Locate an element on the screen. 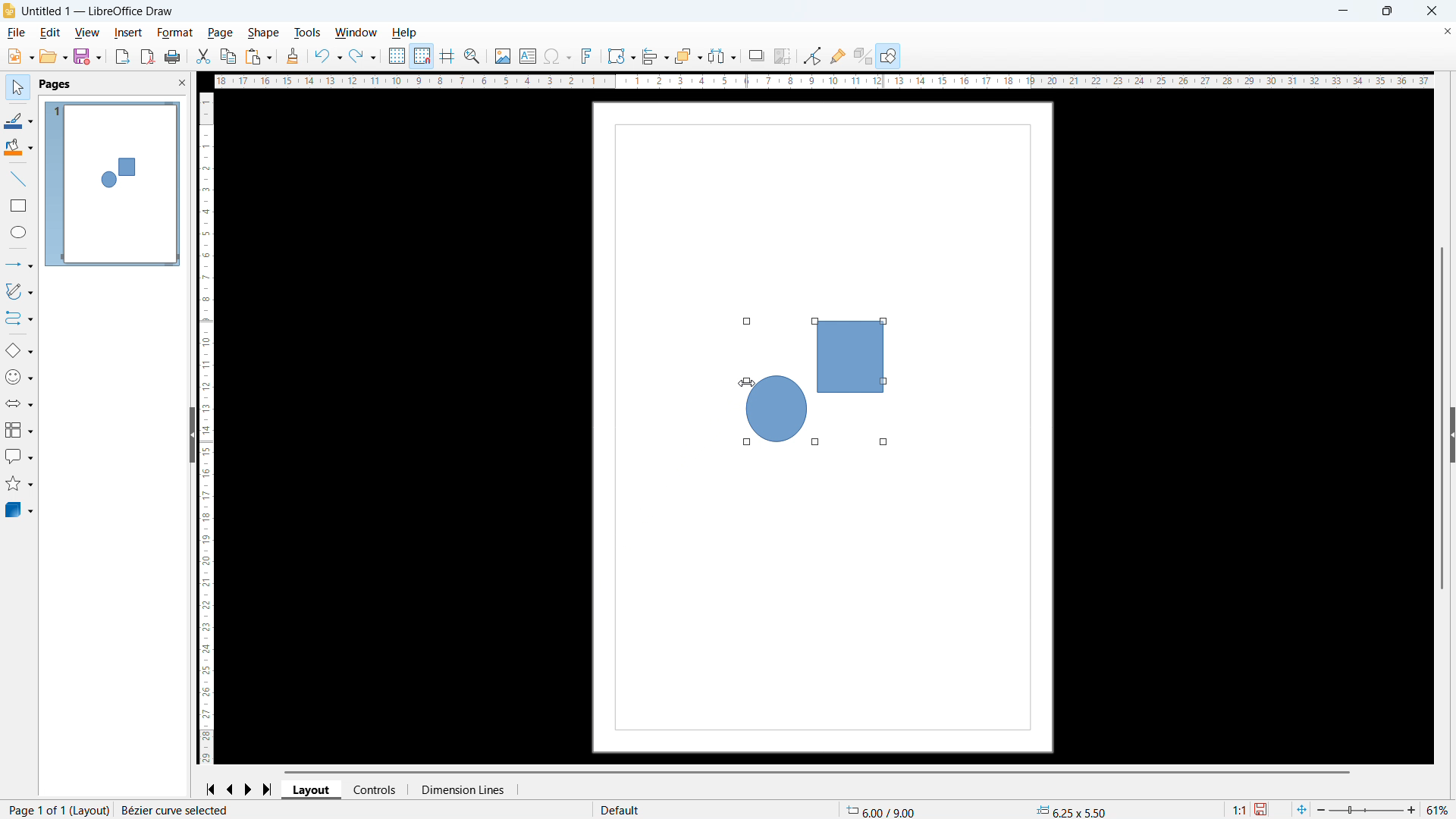 This screenshot has height=819, width=1456. Show glue Point functions  is located at coordinates (839, 55).